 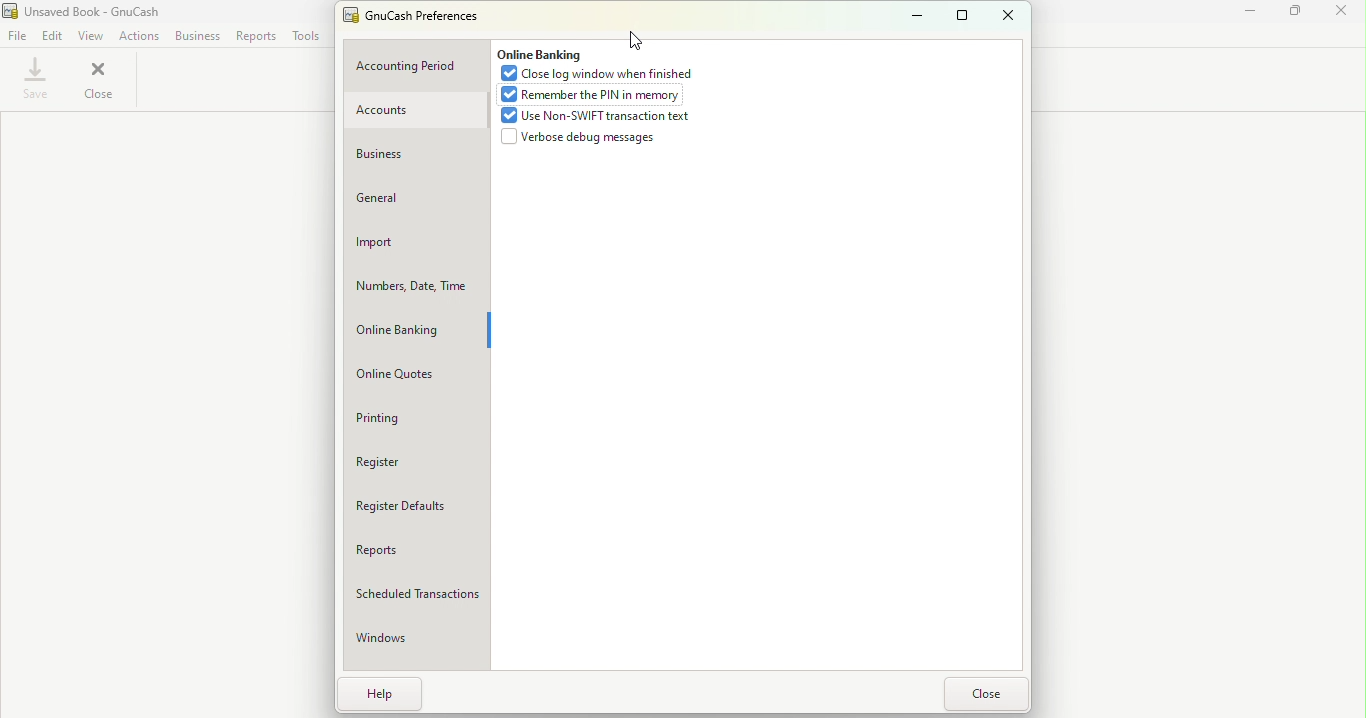 What do you see at coordinates (984, 694) in the screenshot?
I see `close` at bounding box center [984, 694].